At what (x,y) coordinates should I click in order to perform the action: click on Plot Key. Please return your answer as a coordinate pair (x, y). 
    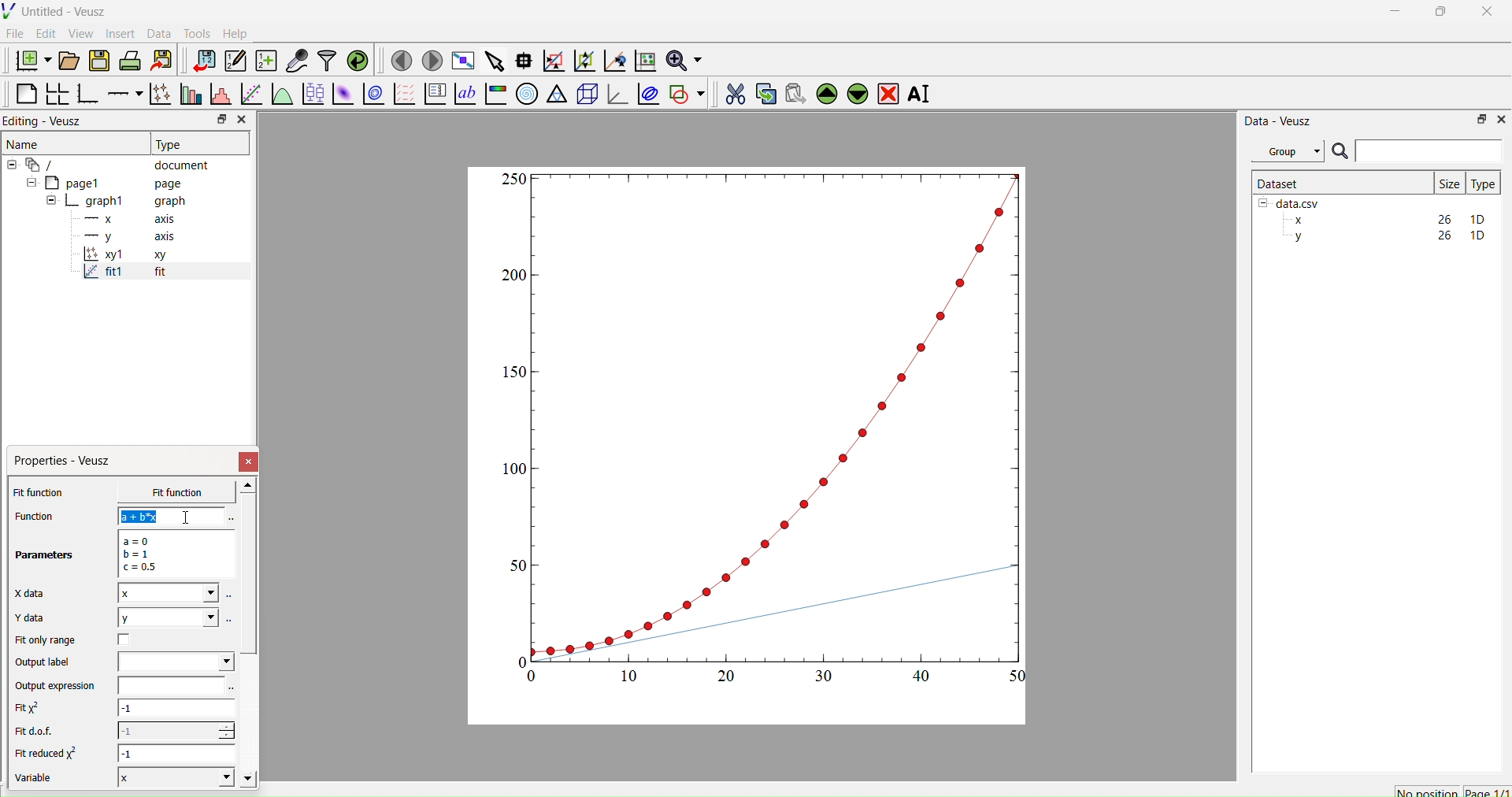
    Looking at the image, I should click on (435, 94).